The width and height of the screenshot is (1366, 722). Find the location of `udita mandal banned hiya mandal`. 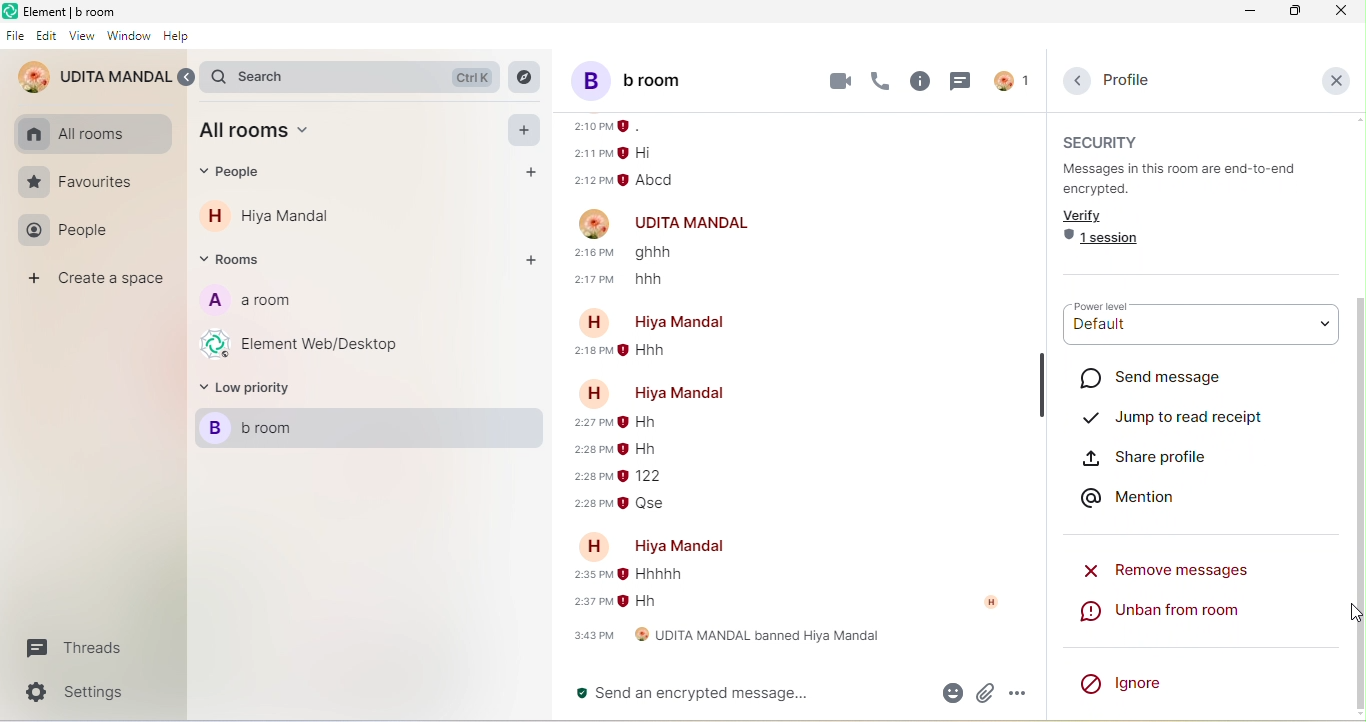

udita mandal banned hiya mandal is located at coordinates (725, 639).